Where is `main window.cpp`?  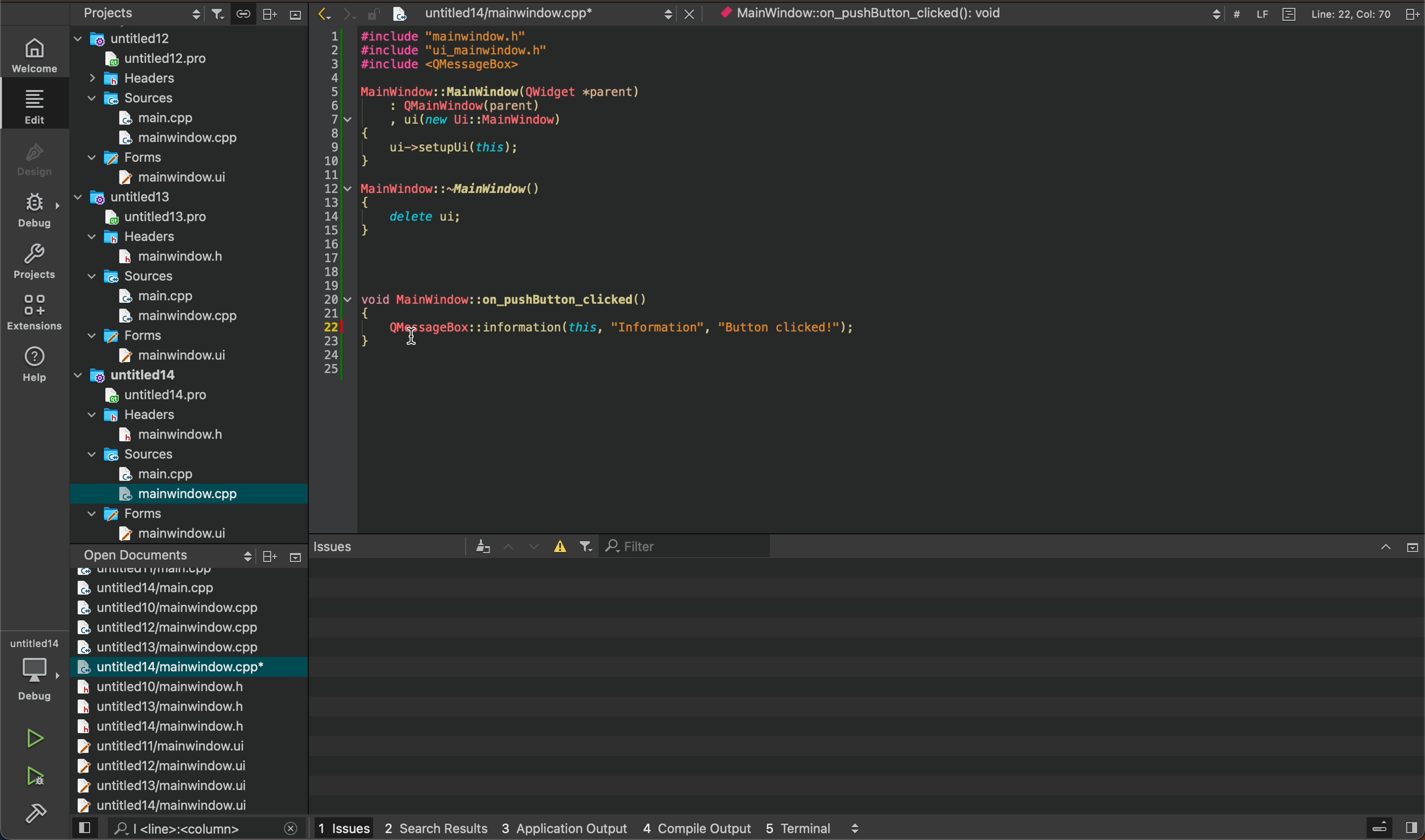 main window.cpp is located at coordinates (180, 494).